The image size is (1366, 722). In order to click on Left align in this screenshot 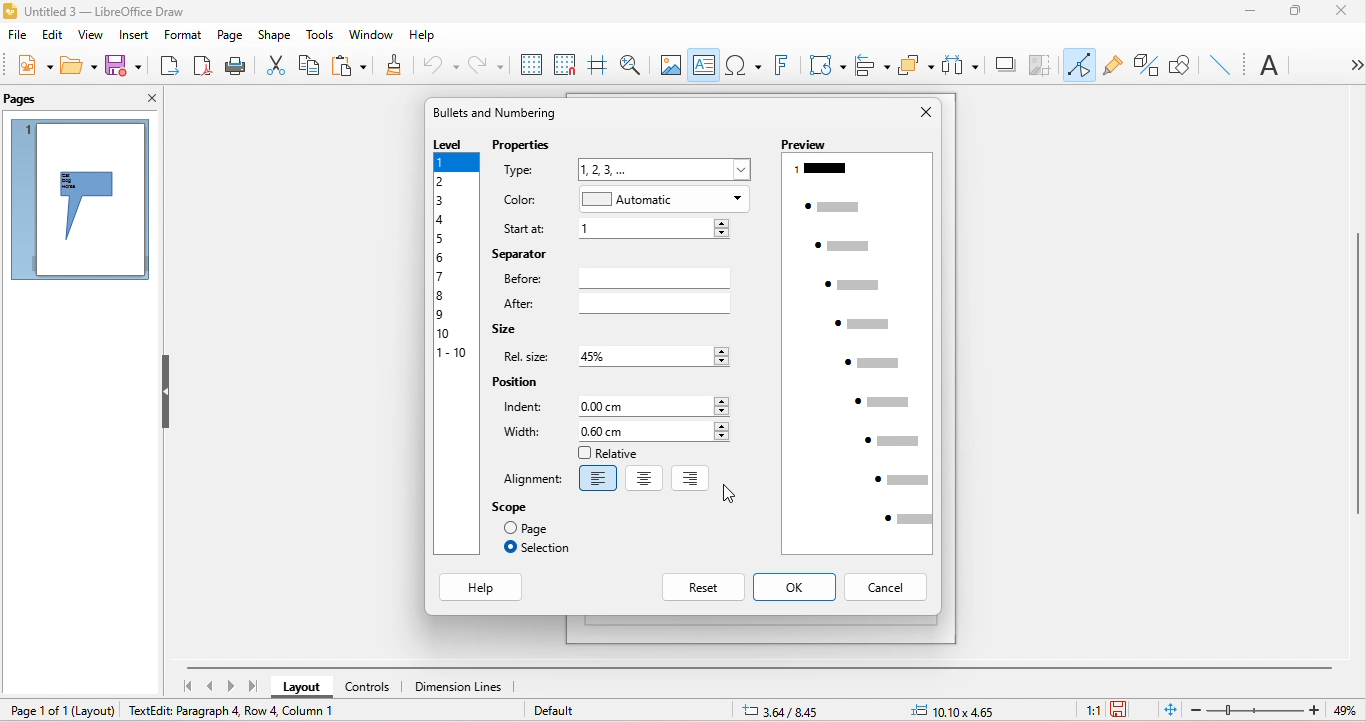, I will do `click(597, 477)`.